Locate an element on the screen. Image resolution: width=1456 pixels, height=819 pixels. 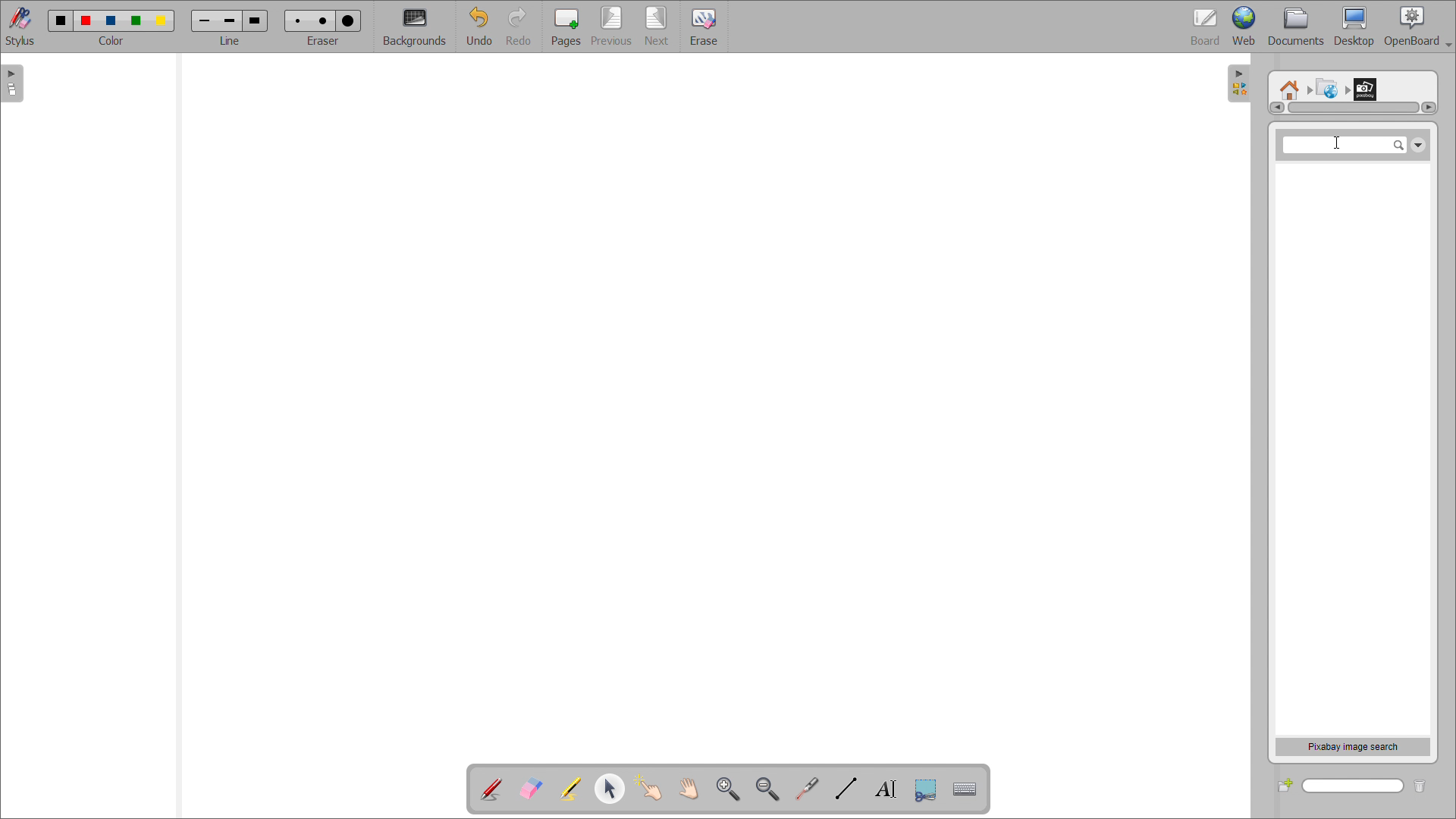
cursor is located at coordinates (1333, 144).